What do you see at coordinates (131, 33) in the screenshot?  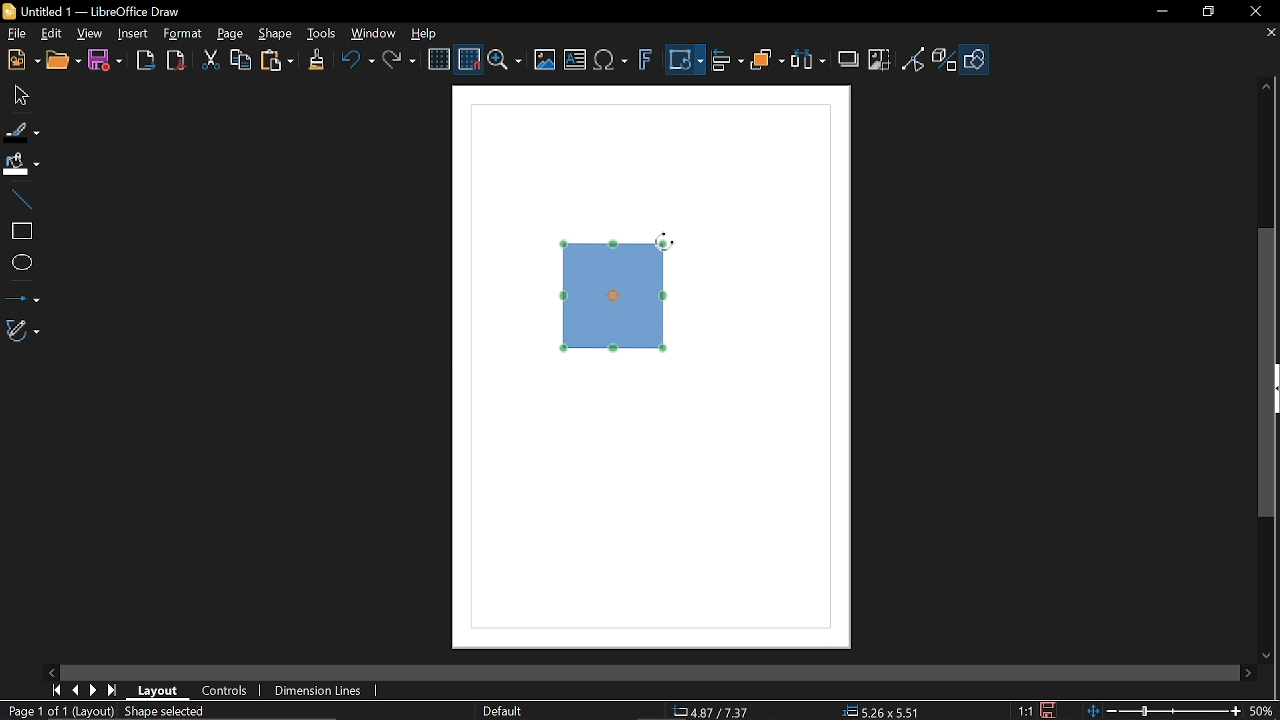 I see `Insert` at bounding box center [131, 33].